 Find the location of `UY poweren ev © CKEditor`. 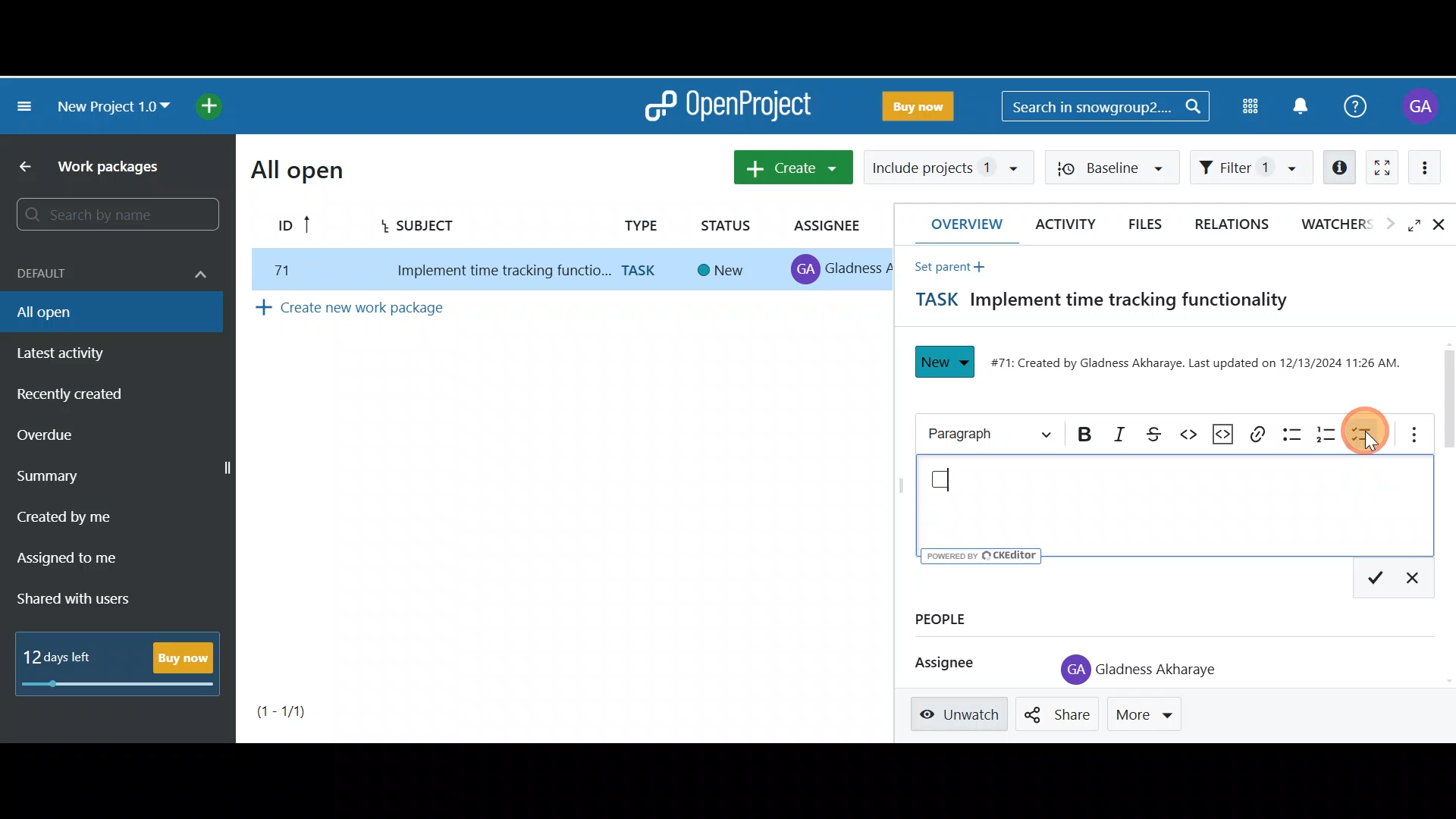

UY poweren ev © CKEditor is located at coordinates (981, 555).